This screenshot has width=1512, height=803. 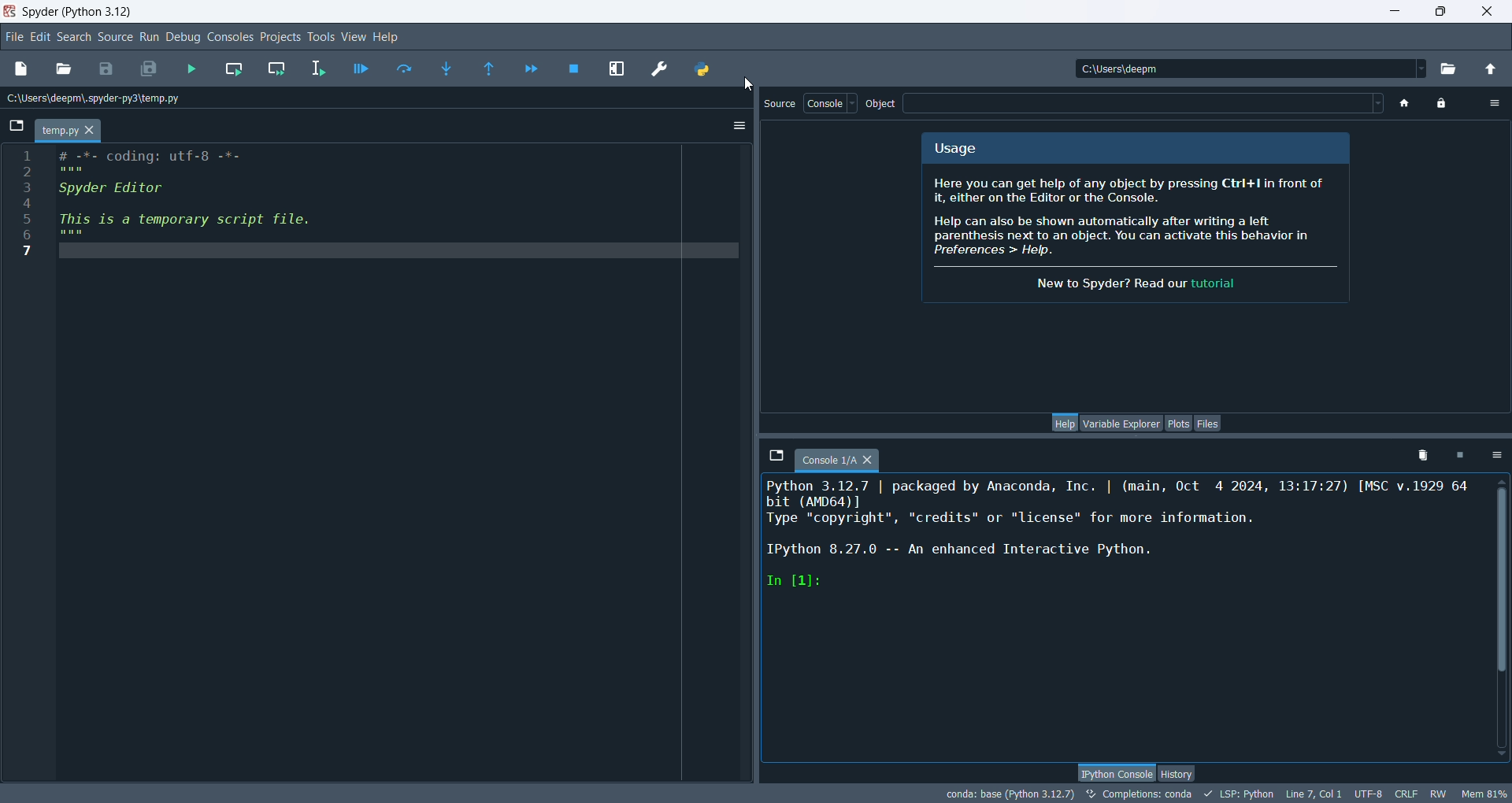 I want to click on spyder, so click(x=79, y=13).